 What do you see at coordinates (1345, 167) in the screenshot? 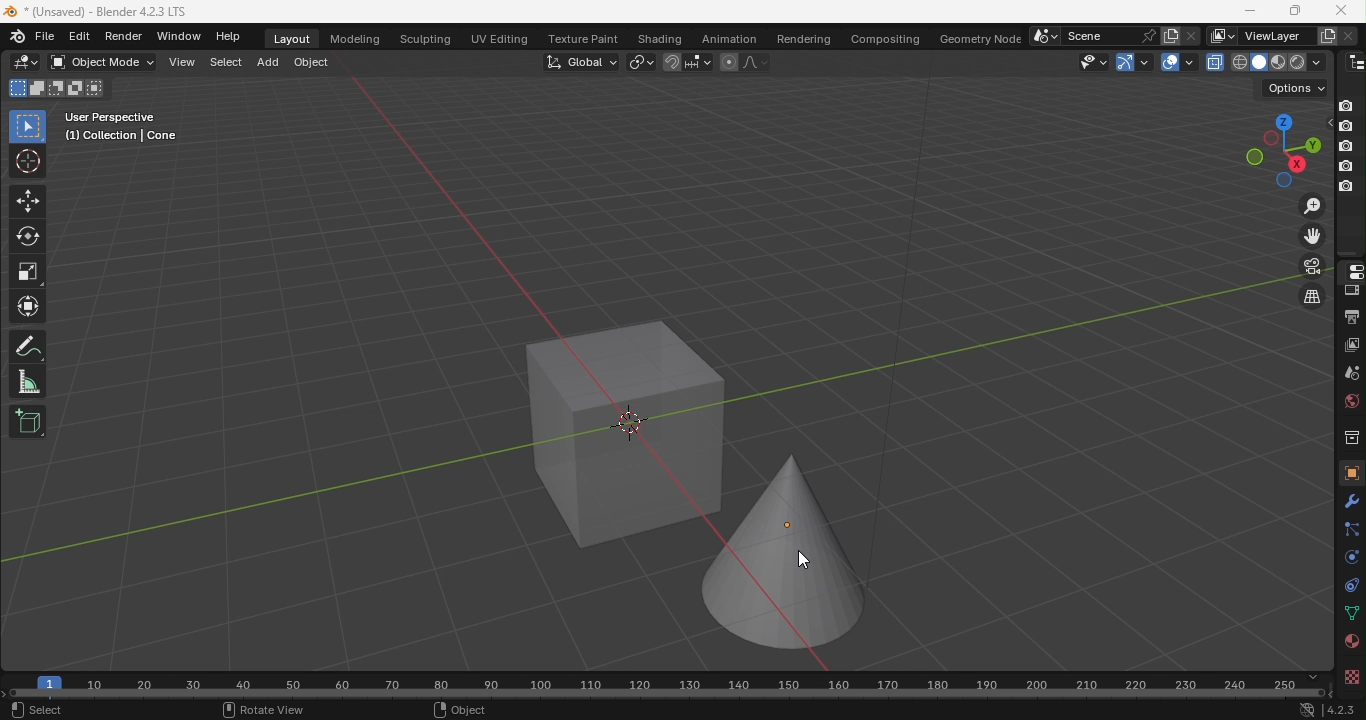
I see `disable in renders` at bounding box center [1345, 167].